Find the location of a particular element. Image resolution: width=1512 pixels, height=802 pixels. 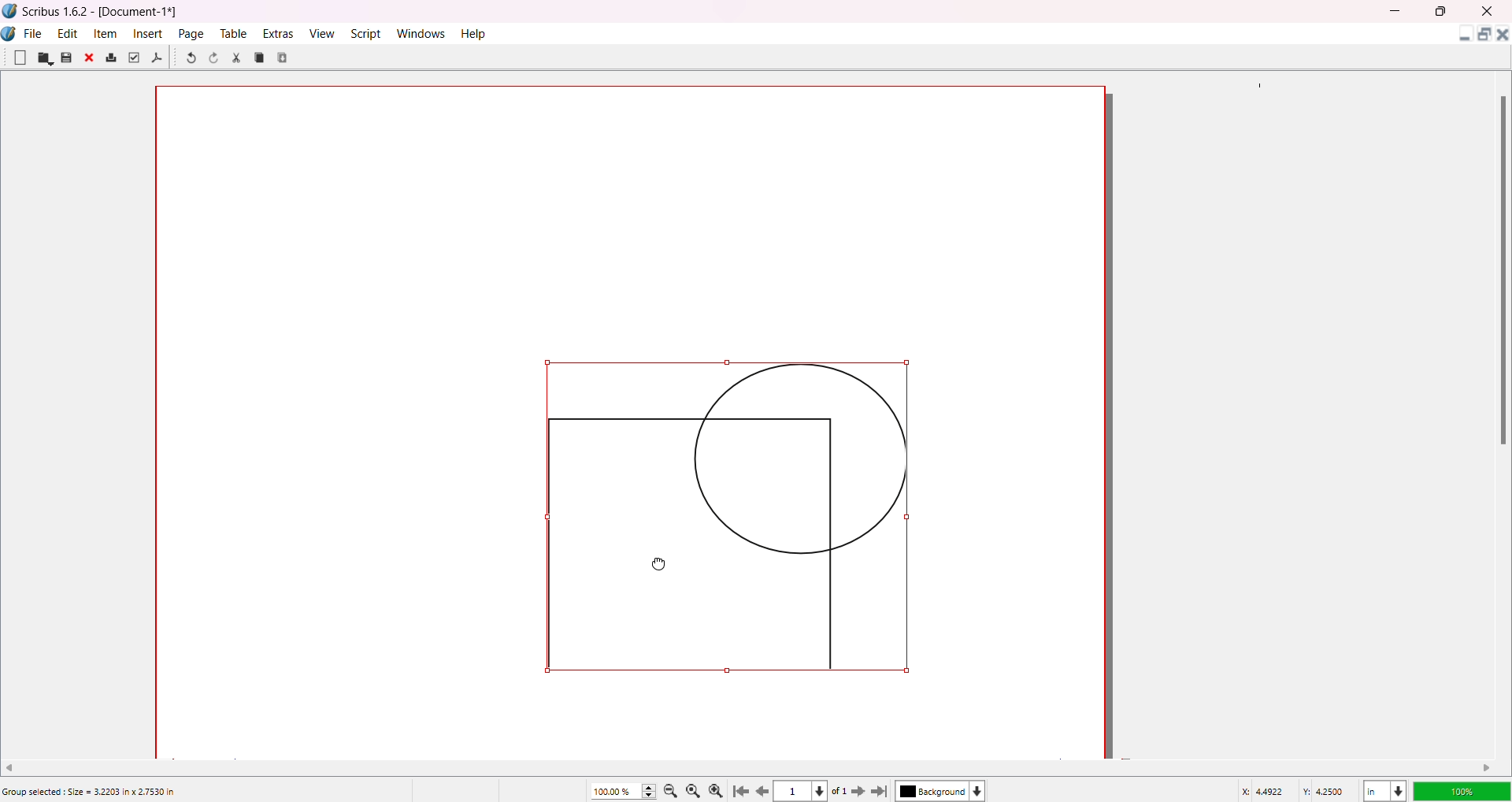

Next is located at coordinates (854, 790).